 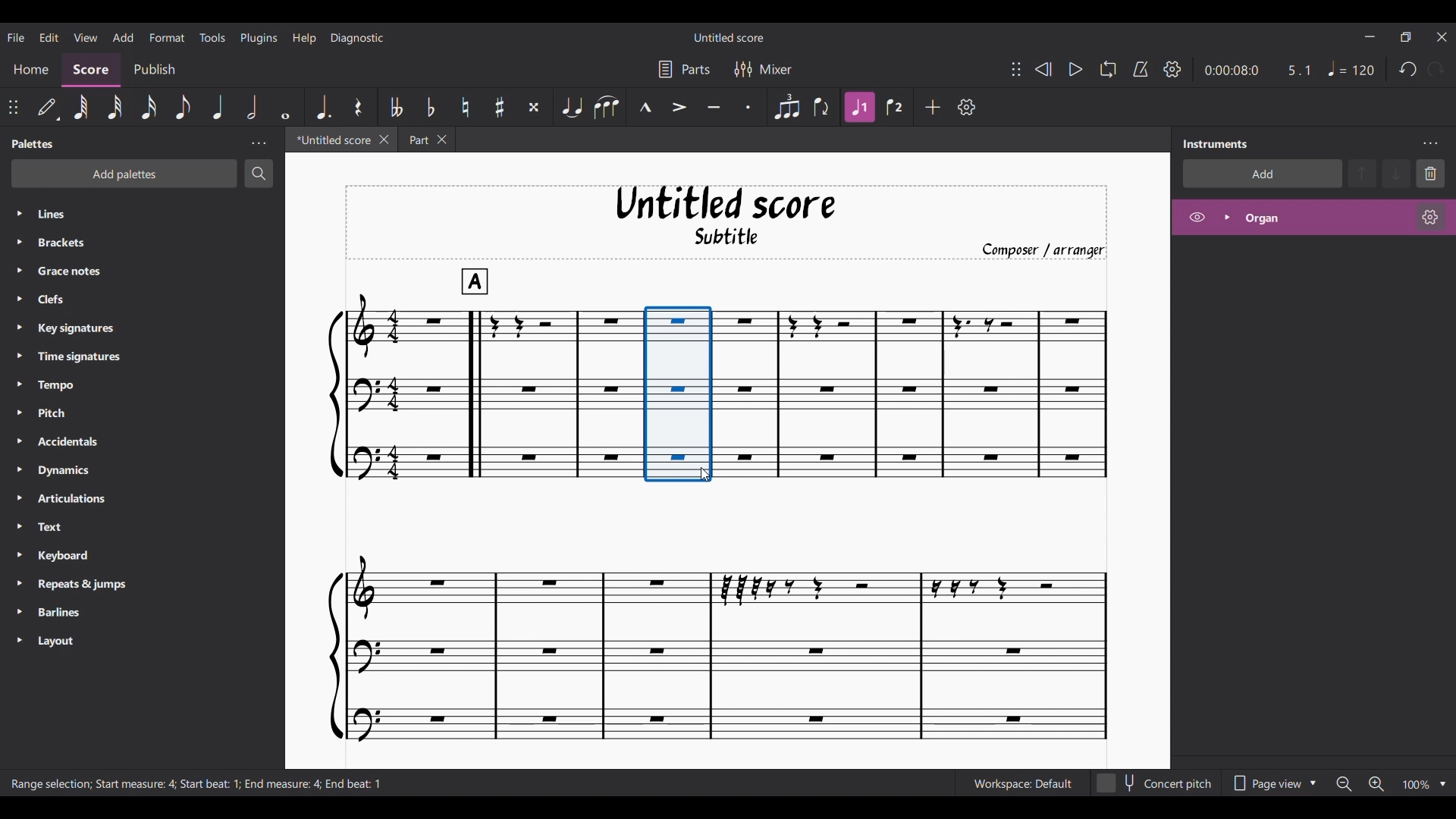 What do you see at coordinates (1405, 36) in the screenshot?
I see `Show interface in a smaller tab` at bounding box center [1405, 36].